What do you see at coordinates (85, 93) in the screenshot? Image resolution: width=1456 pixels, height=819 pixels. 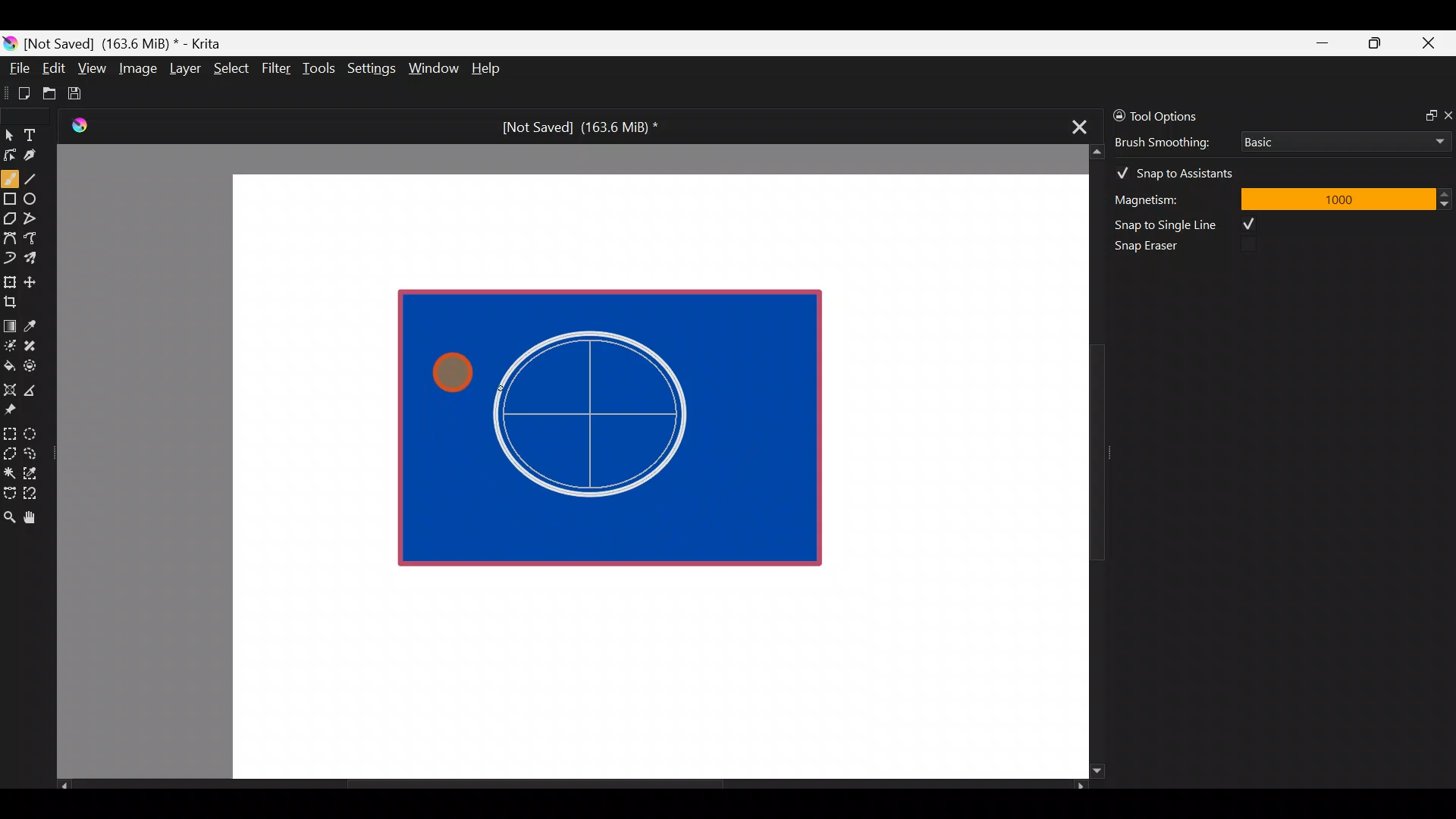 I see `Save` at bounding box center [85, 93].